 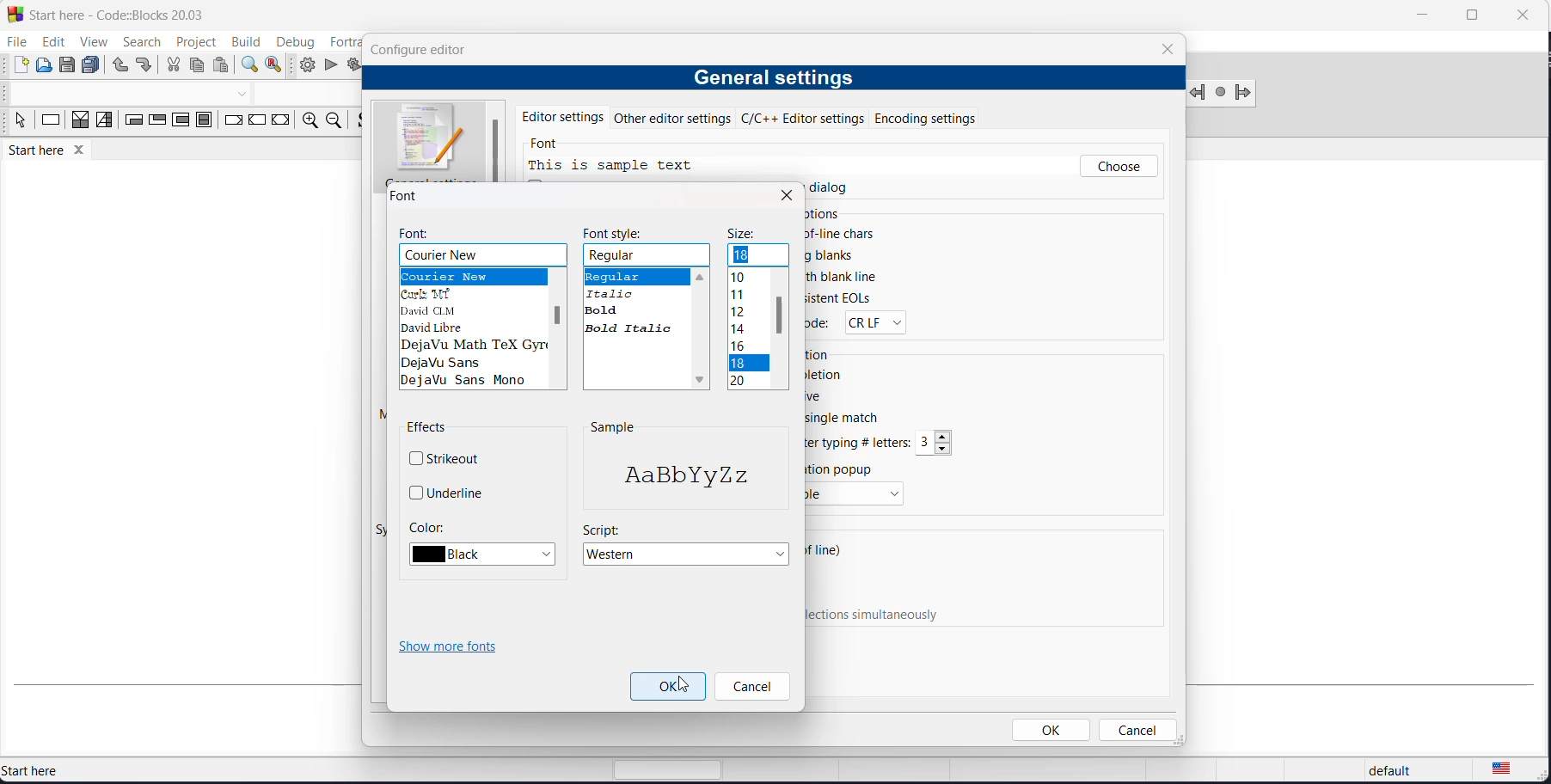 I want to click on ve, so click(x=818, y=395).